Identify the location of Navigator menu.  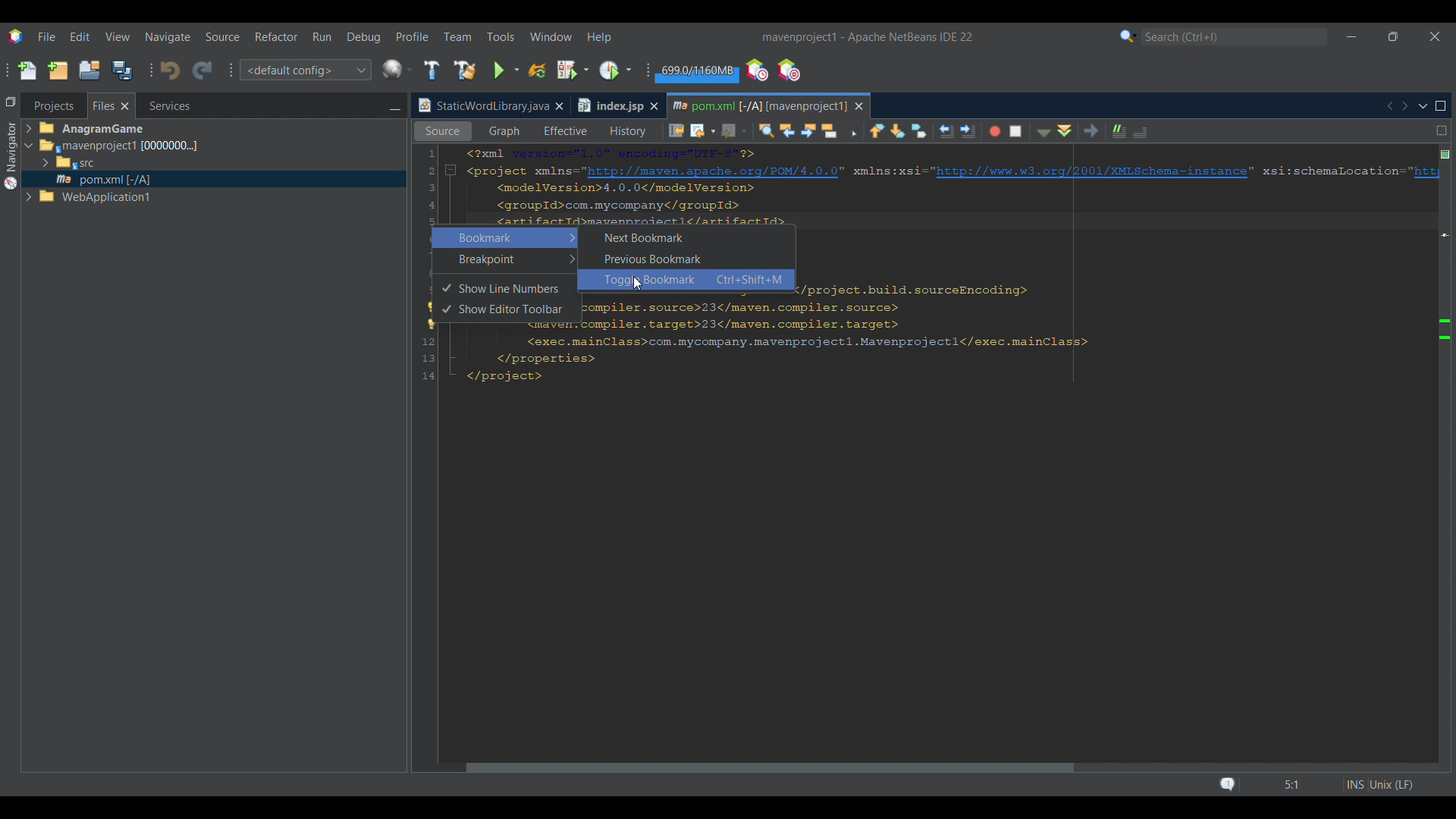
(9, 155).